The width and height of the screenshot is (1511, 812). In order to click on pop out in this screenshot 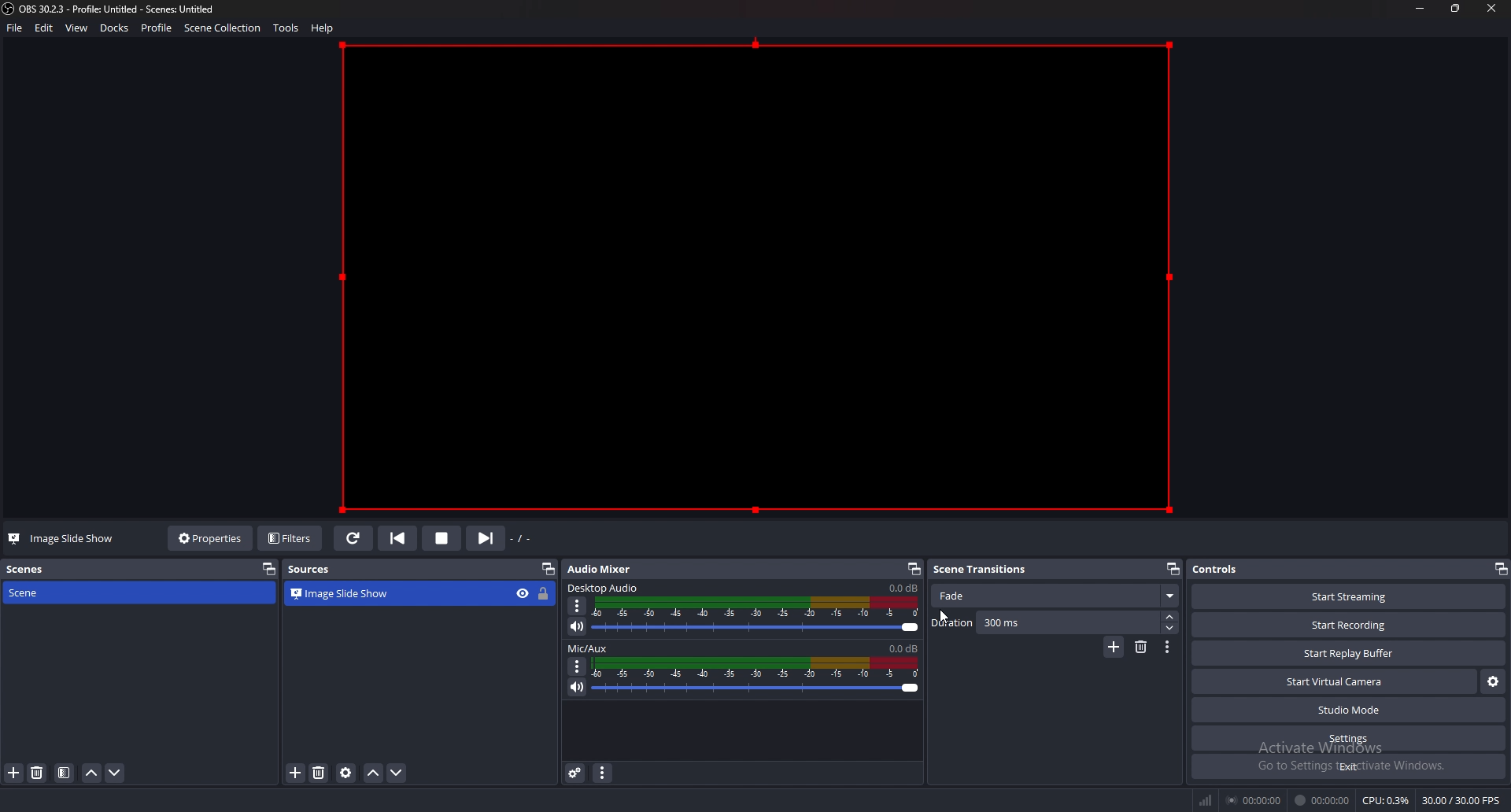, I will do `click(1500, 569)`.